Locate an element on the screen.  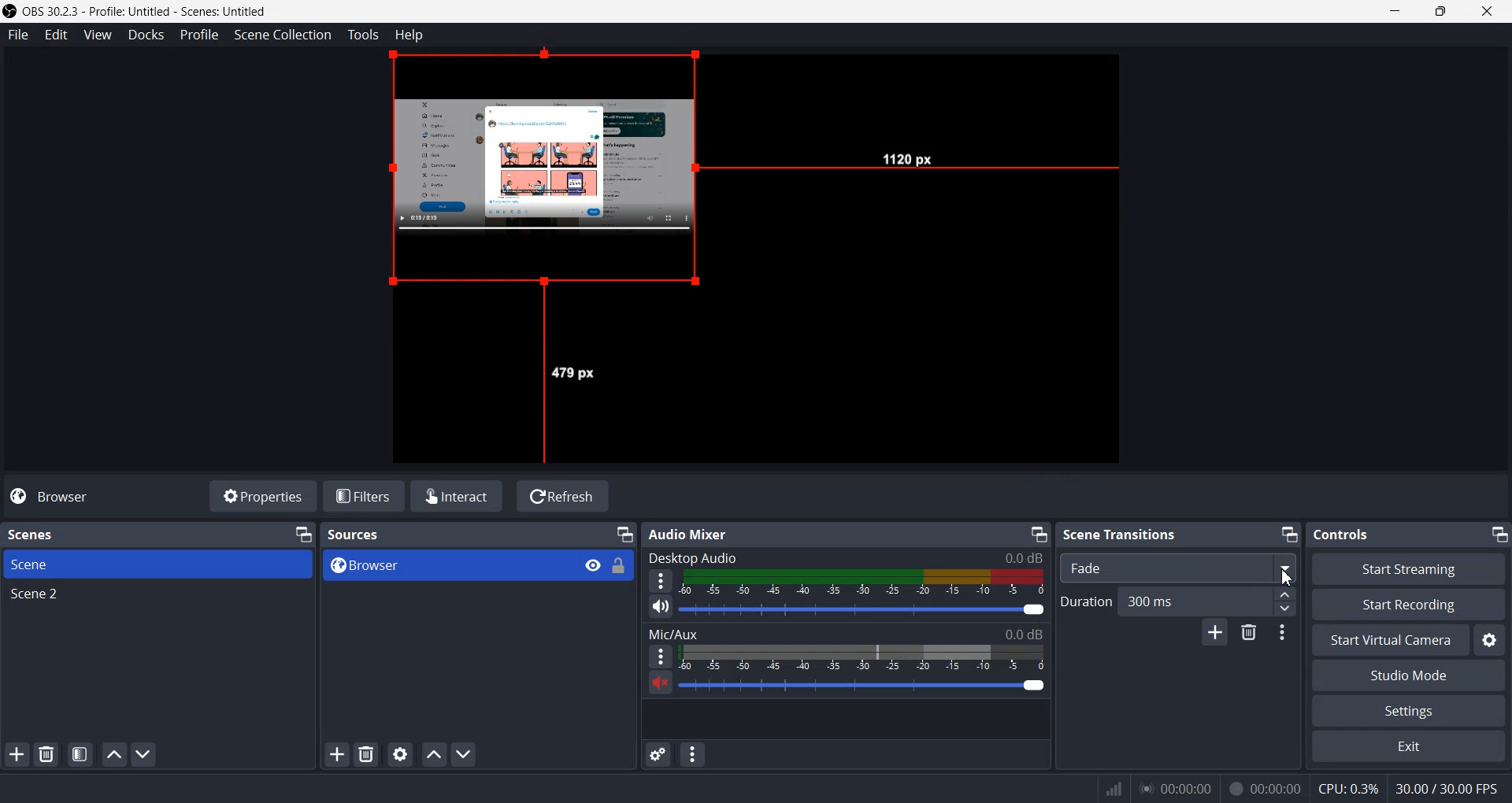
 is located at coordinates (1177, 788).